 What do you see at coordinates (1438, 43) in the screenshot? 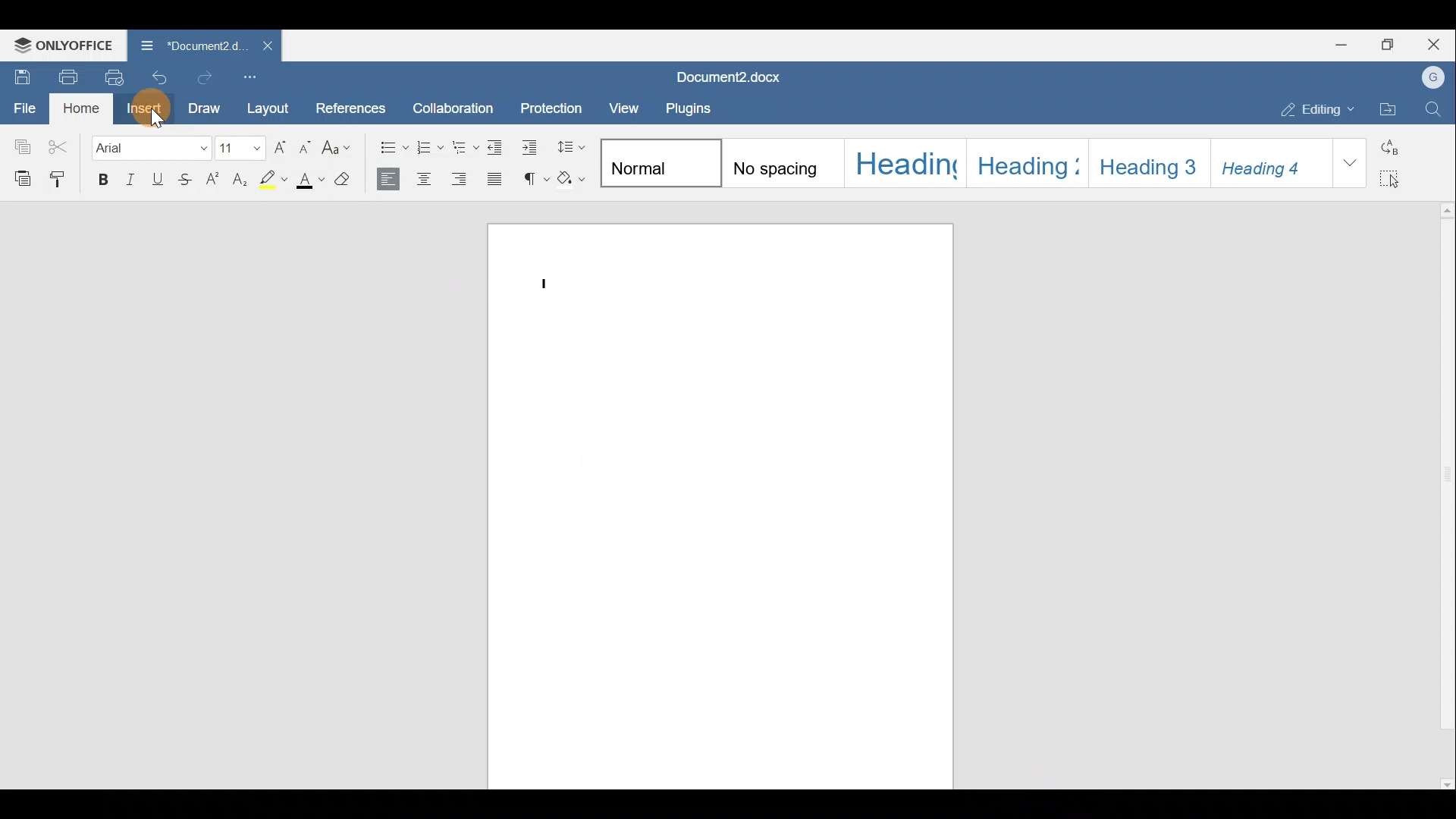
I see `Close` at bounding box center [1438, 43].